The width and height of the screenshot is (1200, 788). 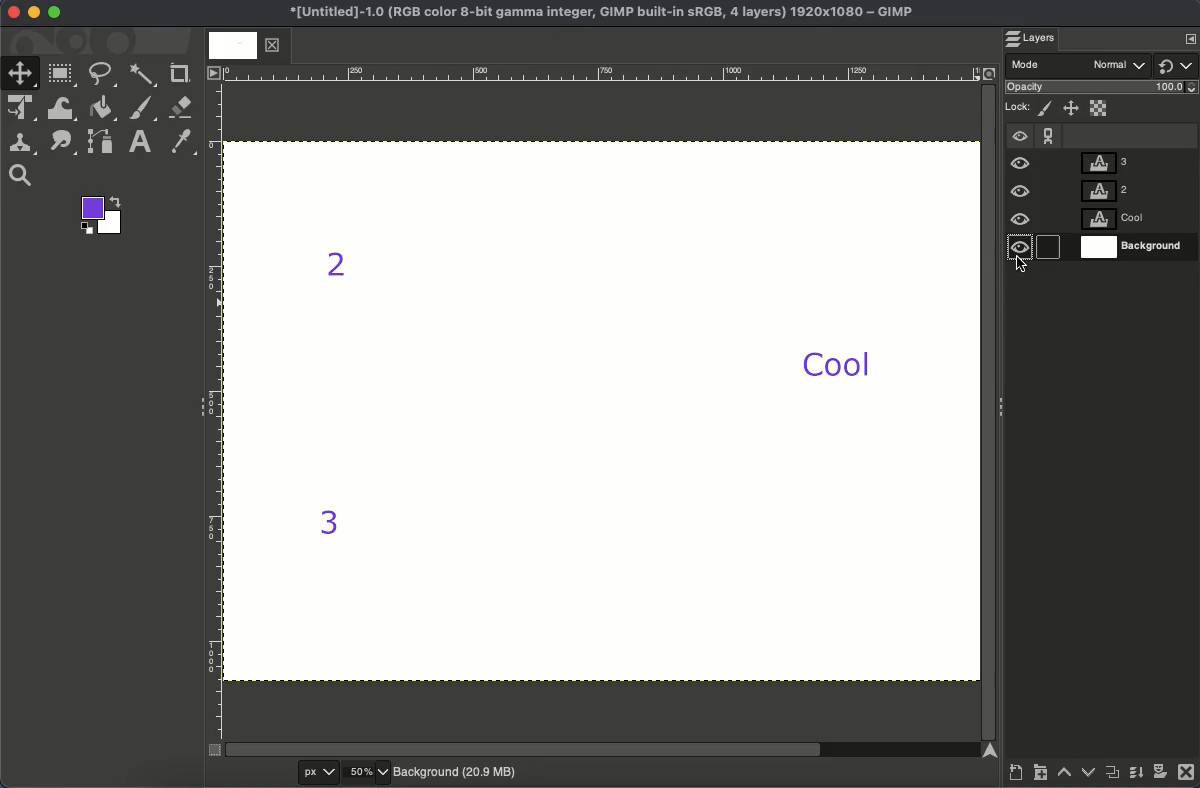 What do you see at coordinates (11, 13) in the screenshot?
I see `Close` at bounding box center [11, 13].